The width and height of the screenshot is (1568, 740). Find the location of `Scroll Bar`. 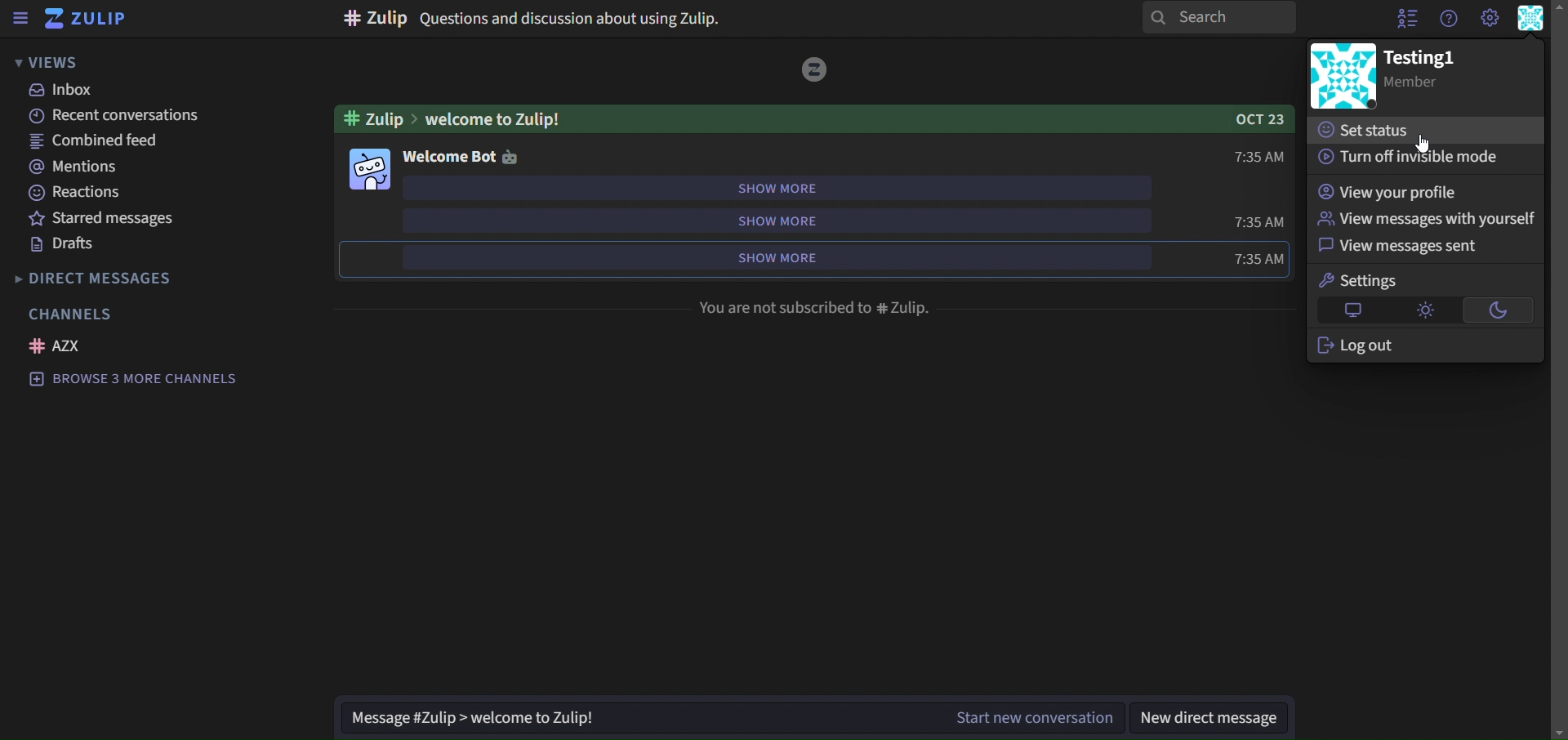

Scroll Bar is located at coordinates (1558, 370).